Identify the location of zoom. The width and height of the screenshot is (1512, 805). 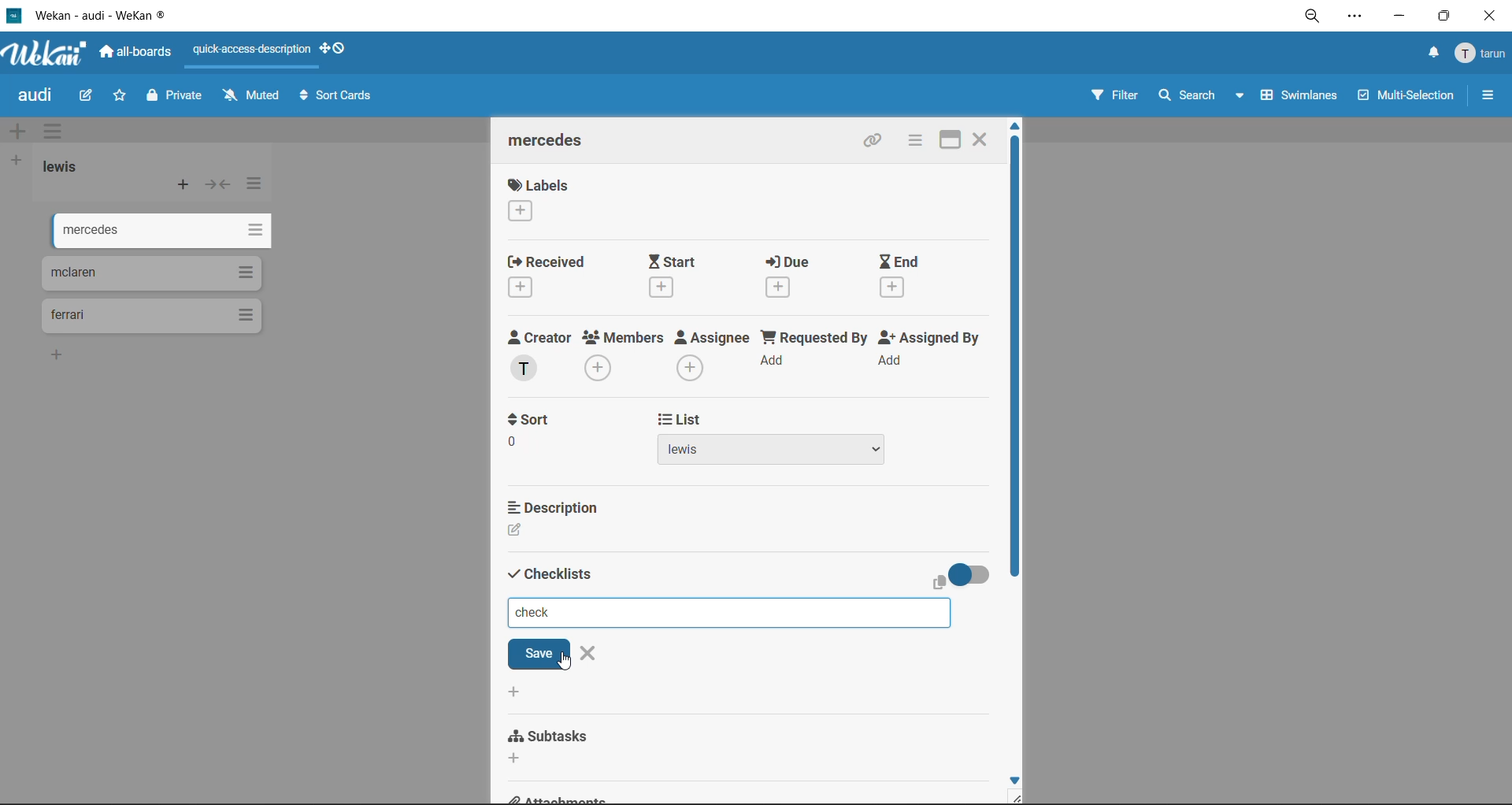
(1318, 20).